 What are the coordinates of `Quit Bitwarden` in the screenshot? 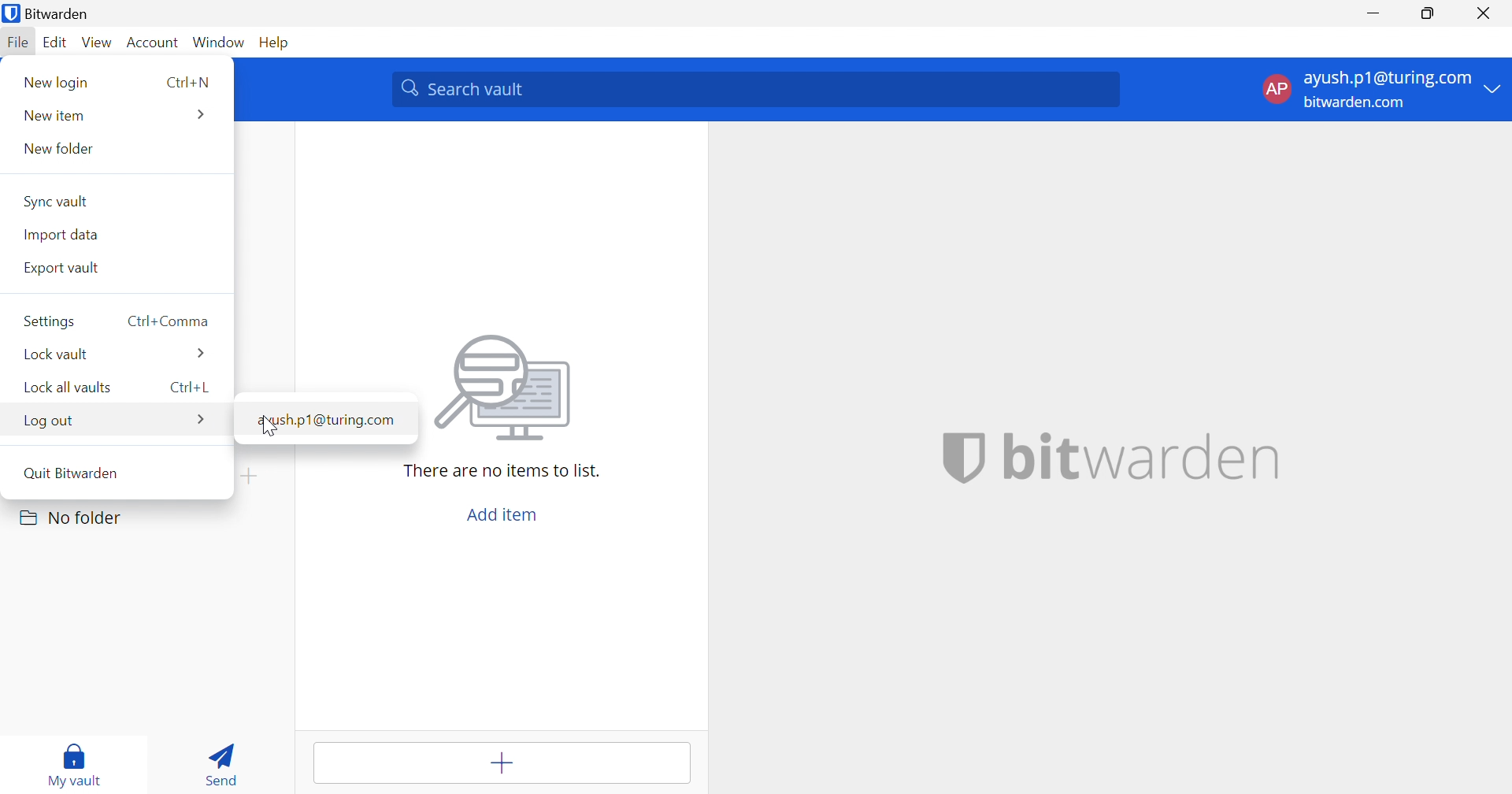 It's located at (72, 471).